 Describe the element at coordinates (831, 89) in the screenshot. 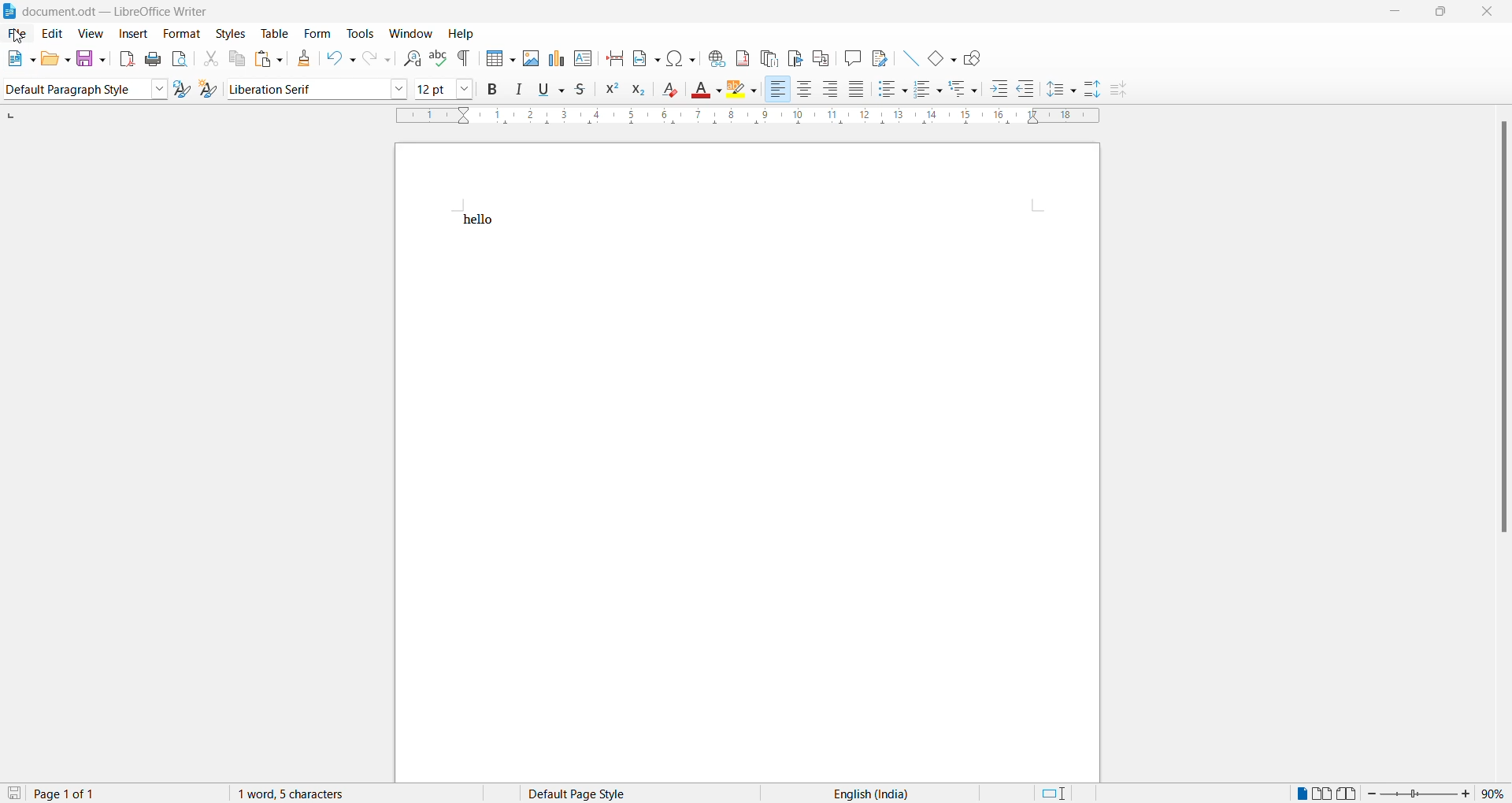

I see `align right` at that location.